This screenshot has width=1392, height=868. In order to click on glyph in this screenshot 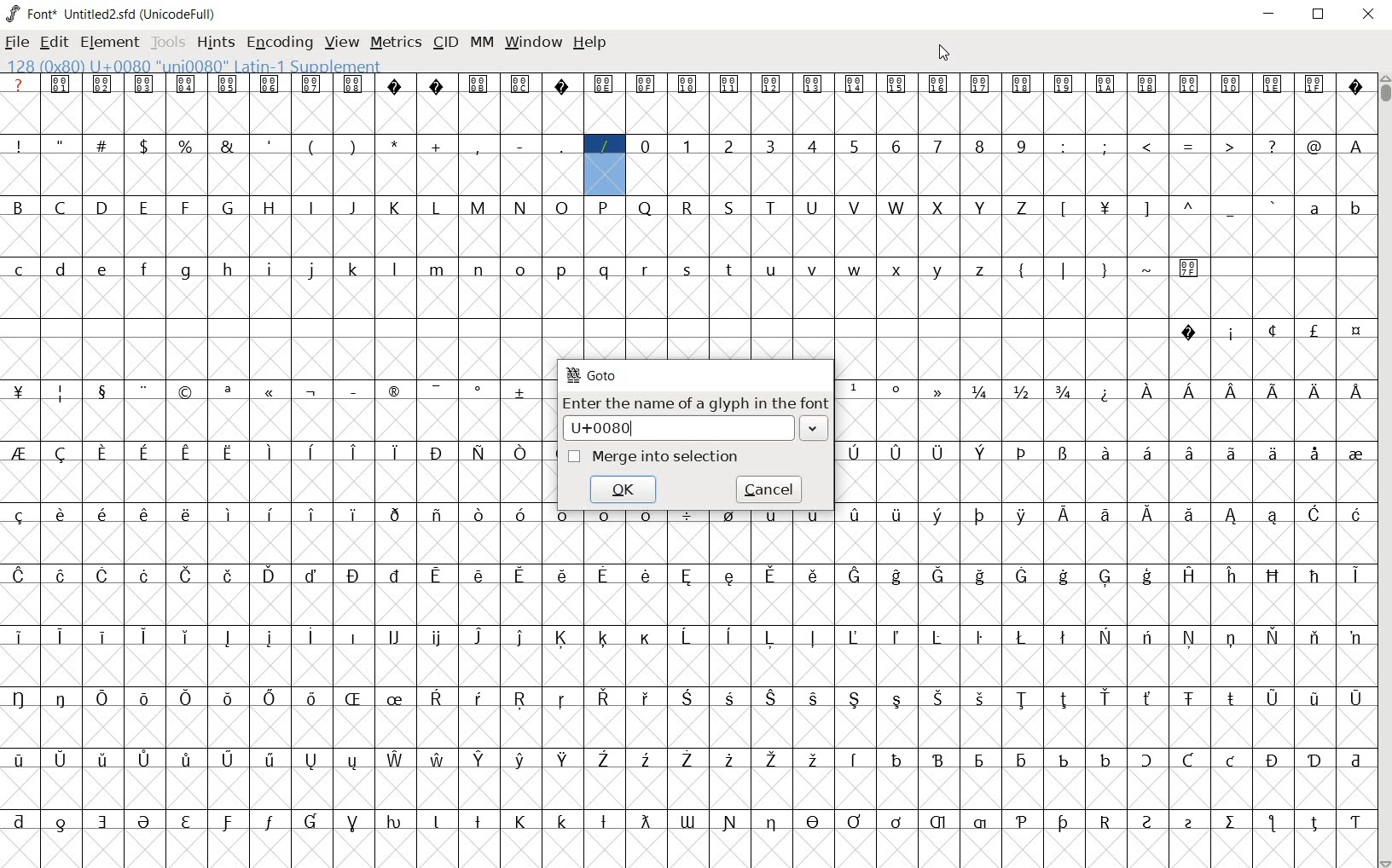, I will do `click(687, 146)`.